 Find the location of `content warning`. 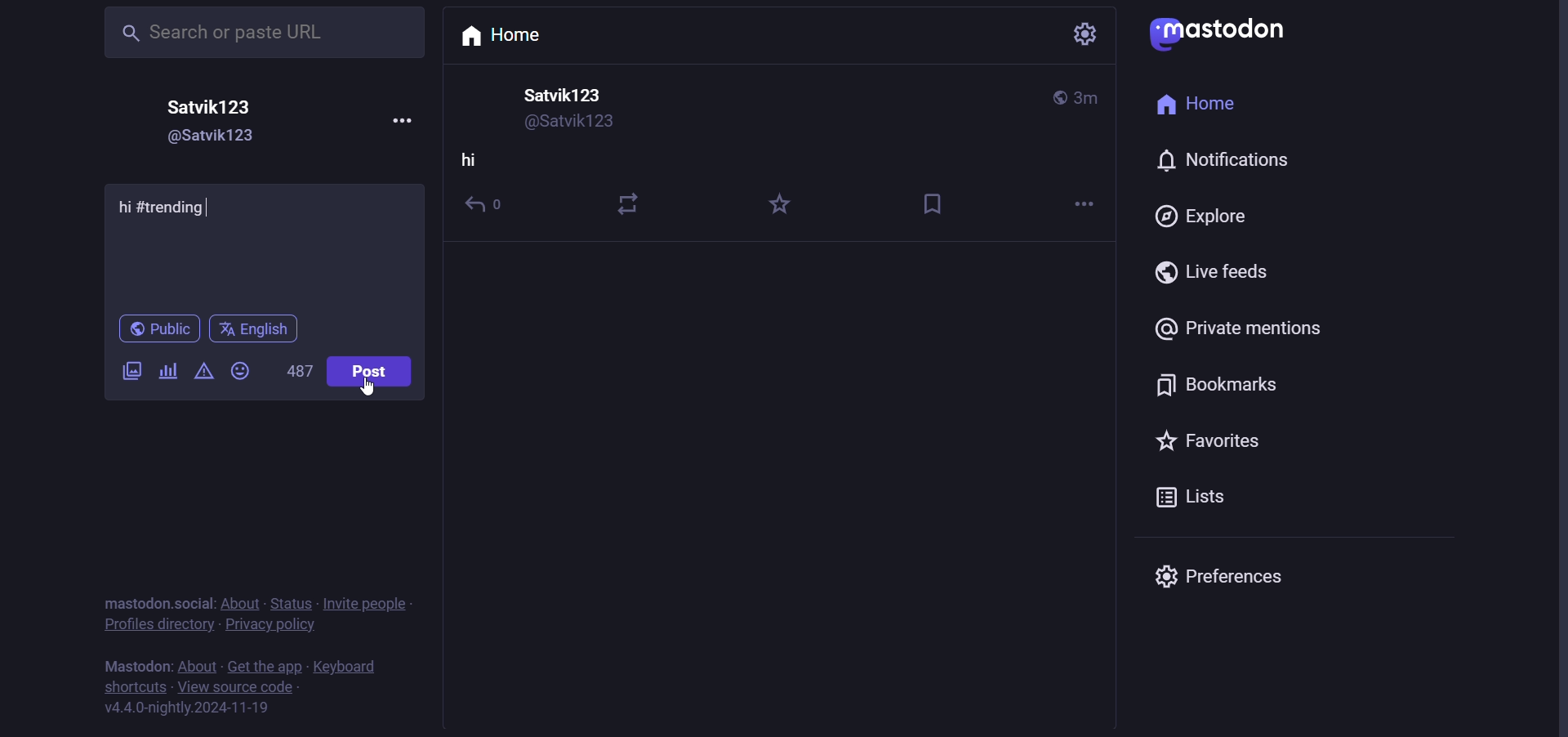

content warning is located at coordinates (202, 373).